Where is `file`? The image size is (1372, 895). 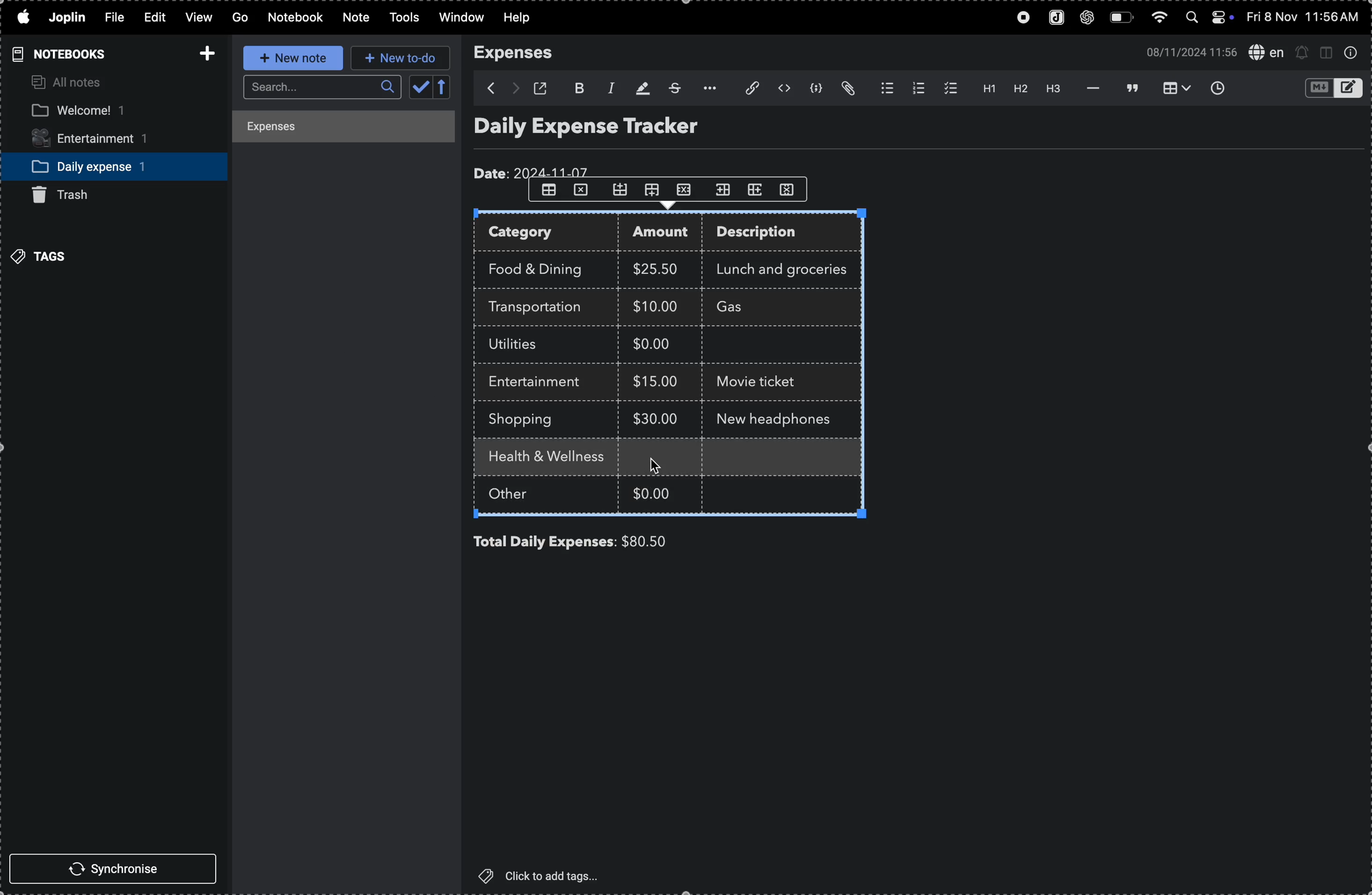
file is located at coordinates (112, 18).